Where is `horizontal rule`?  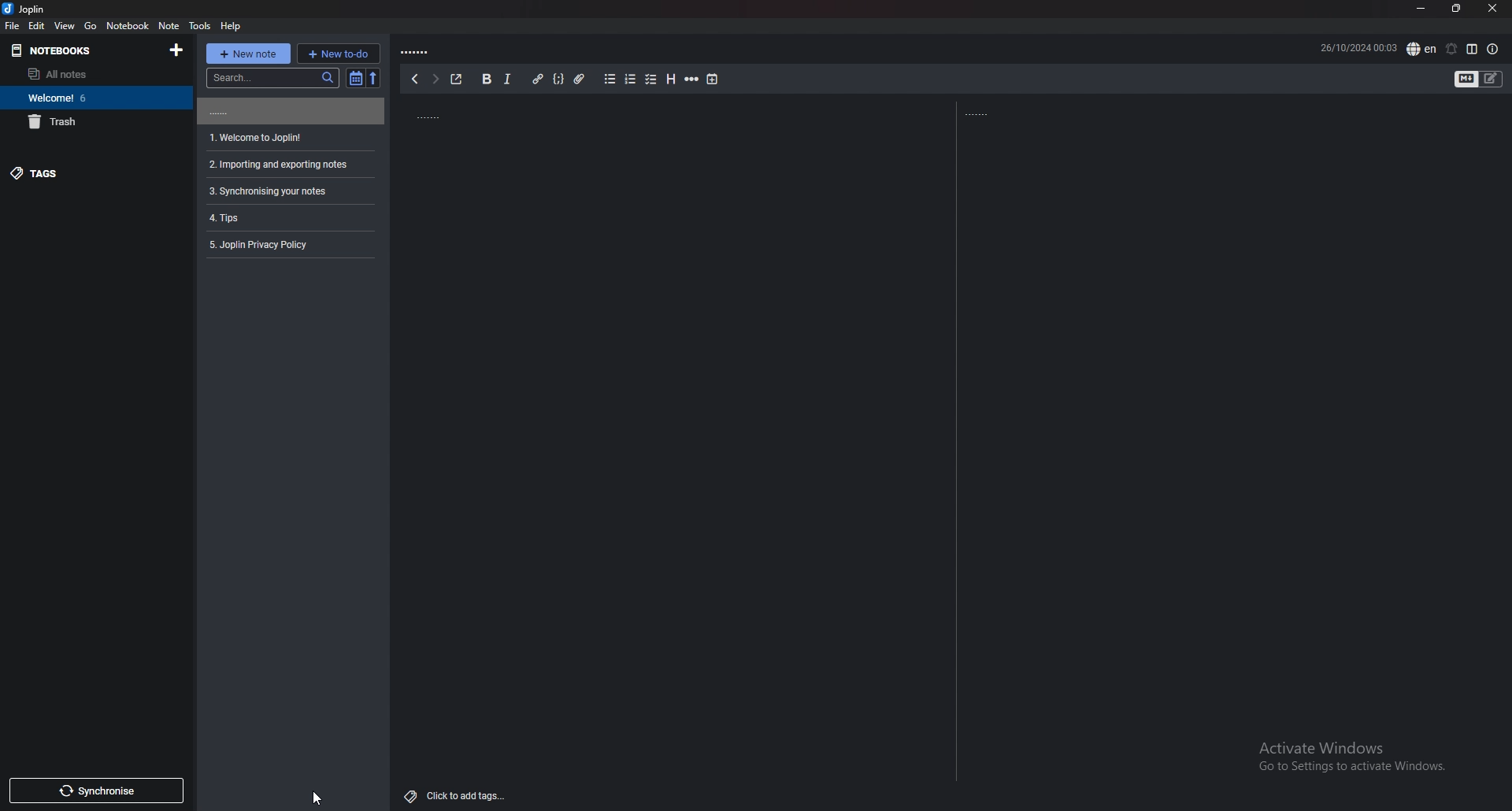
horizontal rule is located at coordinates (693, 79).